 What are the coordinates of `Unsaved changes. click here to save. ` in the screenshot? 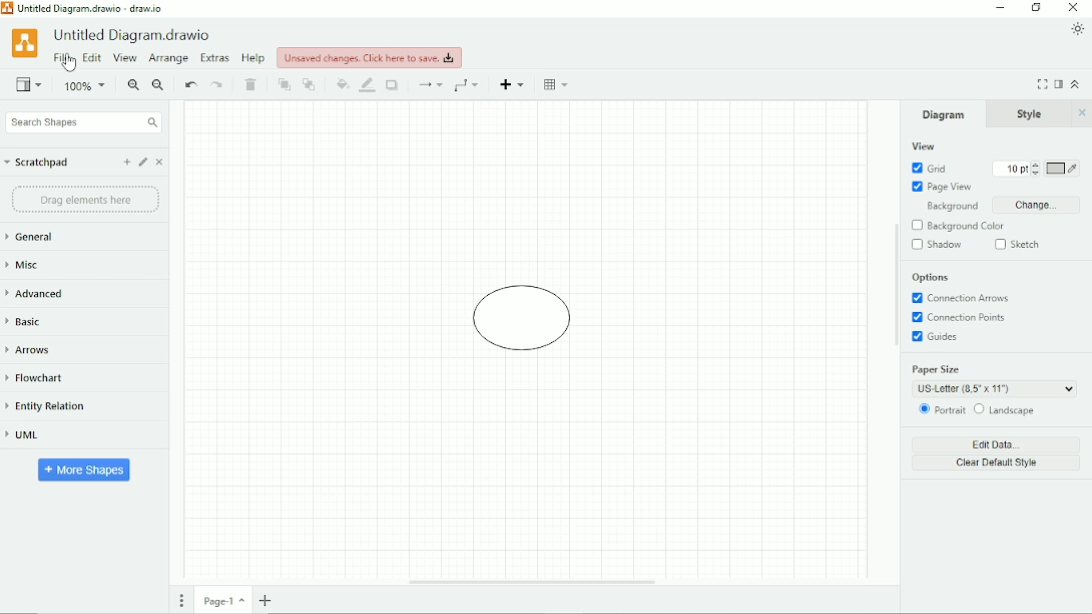 It's located at (369, 57).